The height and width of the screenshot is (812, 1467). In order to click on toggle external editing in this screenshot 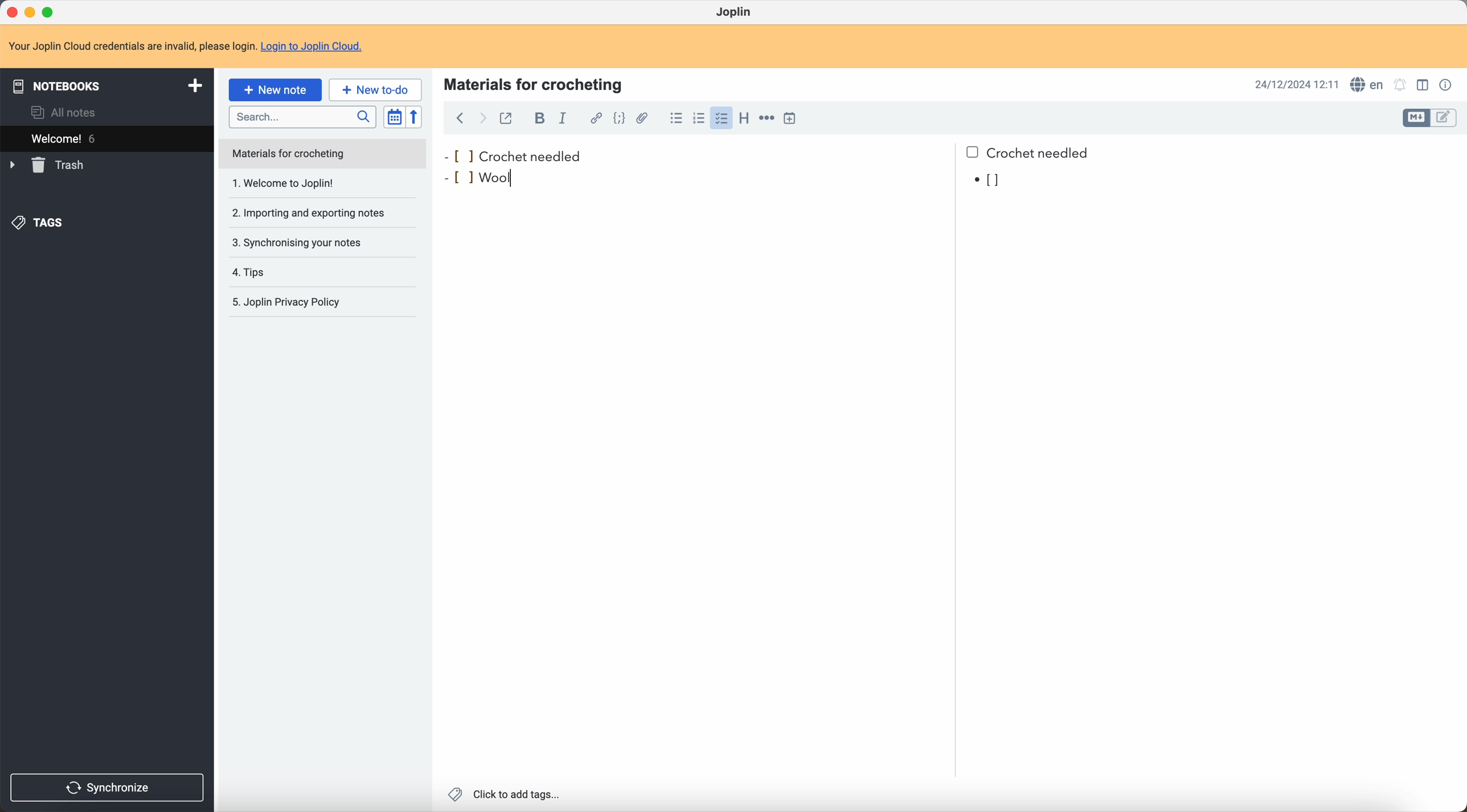, I will do `click(507, 121)`.